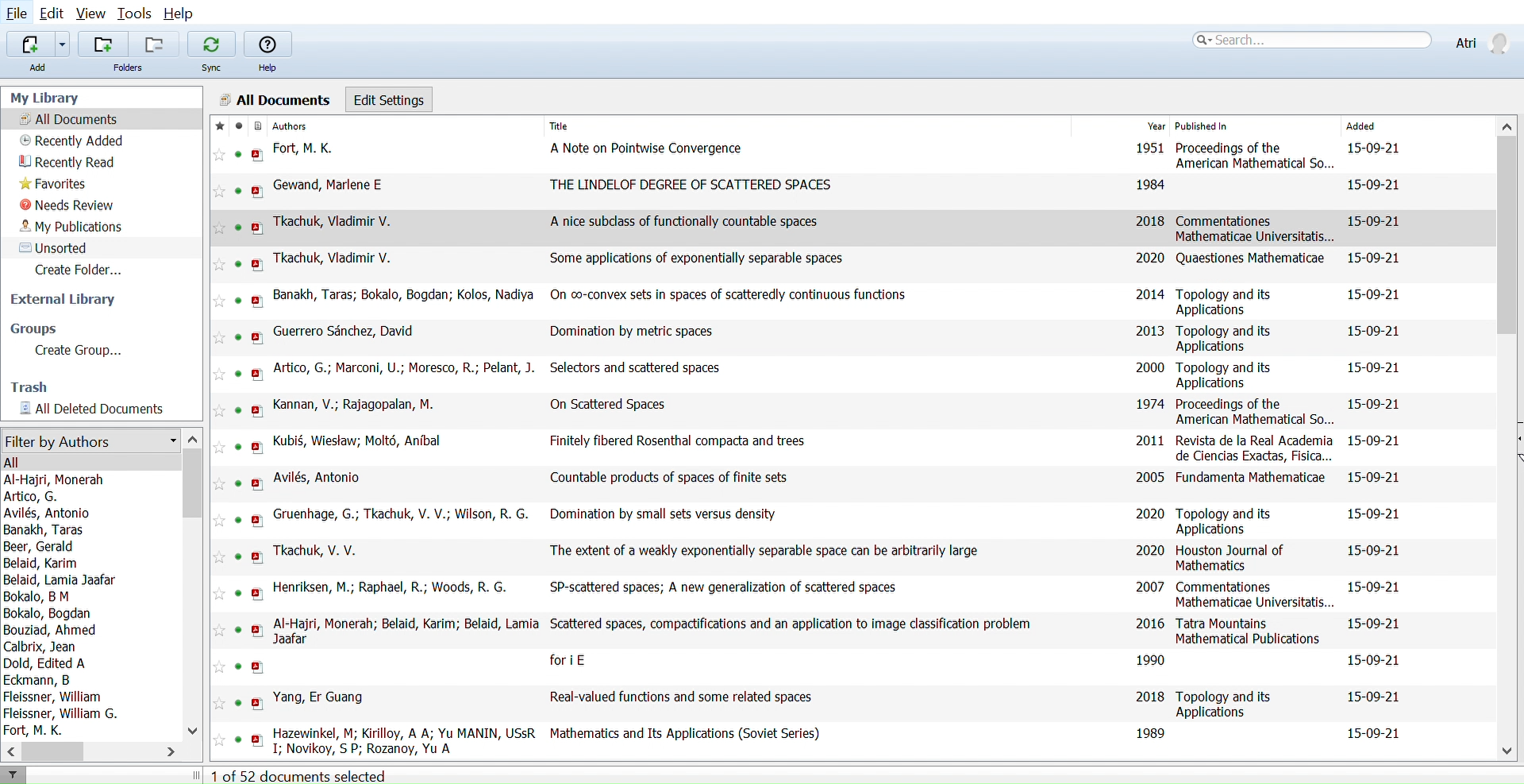 Image resolution: width=1524 pixels, height=784 pixels. What do you see at coordinates (1251, 258) in the screenshot?
I see `Quaestiones Mathematicae` at bounding box center [1251, 258].